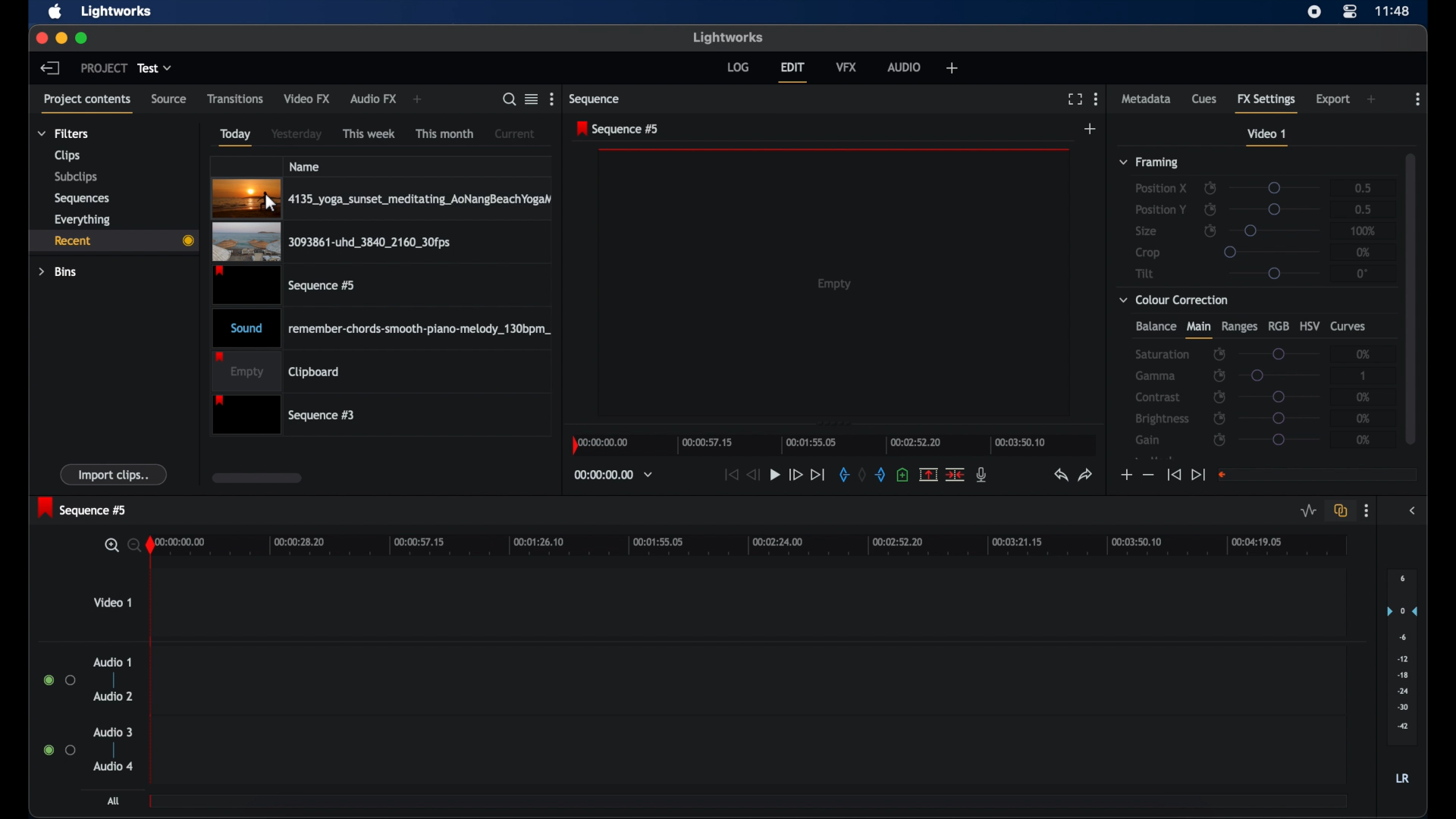  What do you see at coordinates (1086, 475) in the screenshot?
I see `redo` at bounding box center [1086, 475].